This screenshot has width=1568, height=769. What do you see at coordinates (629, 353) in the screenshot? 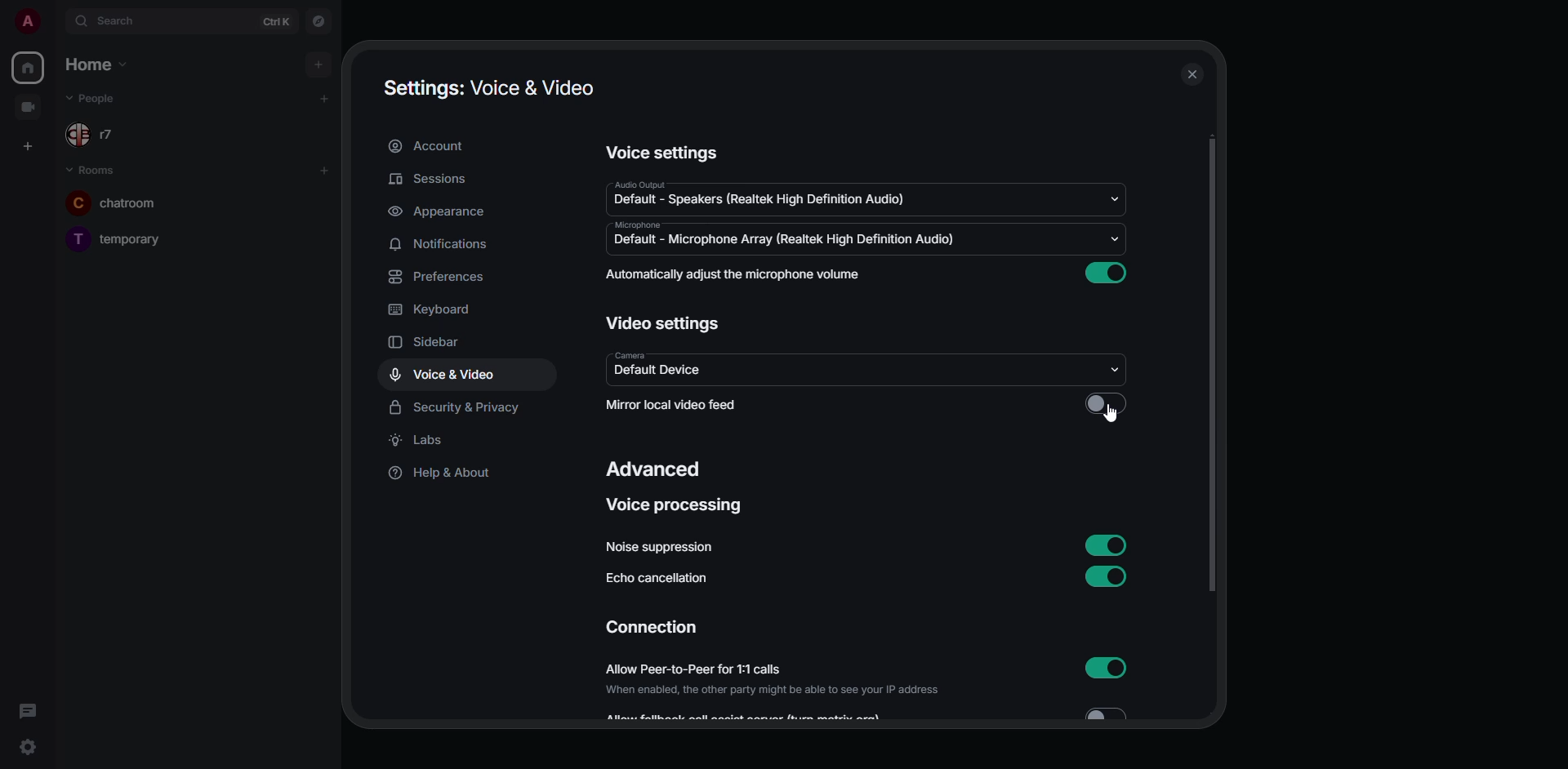
I see `camera` at bounding box center [629, 353].